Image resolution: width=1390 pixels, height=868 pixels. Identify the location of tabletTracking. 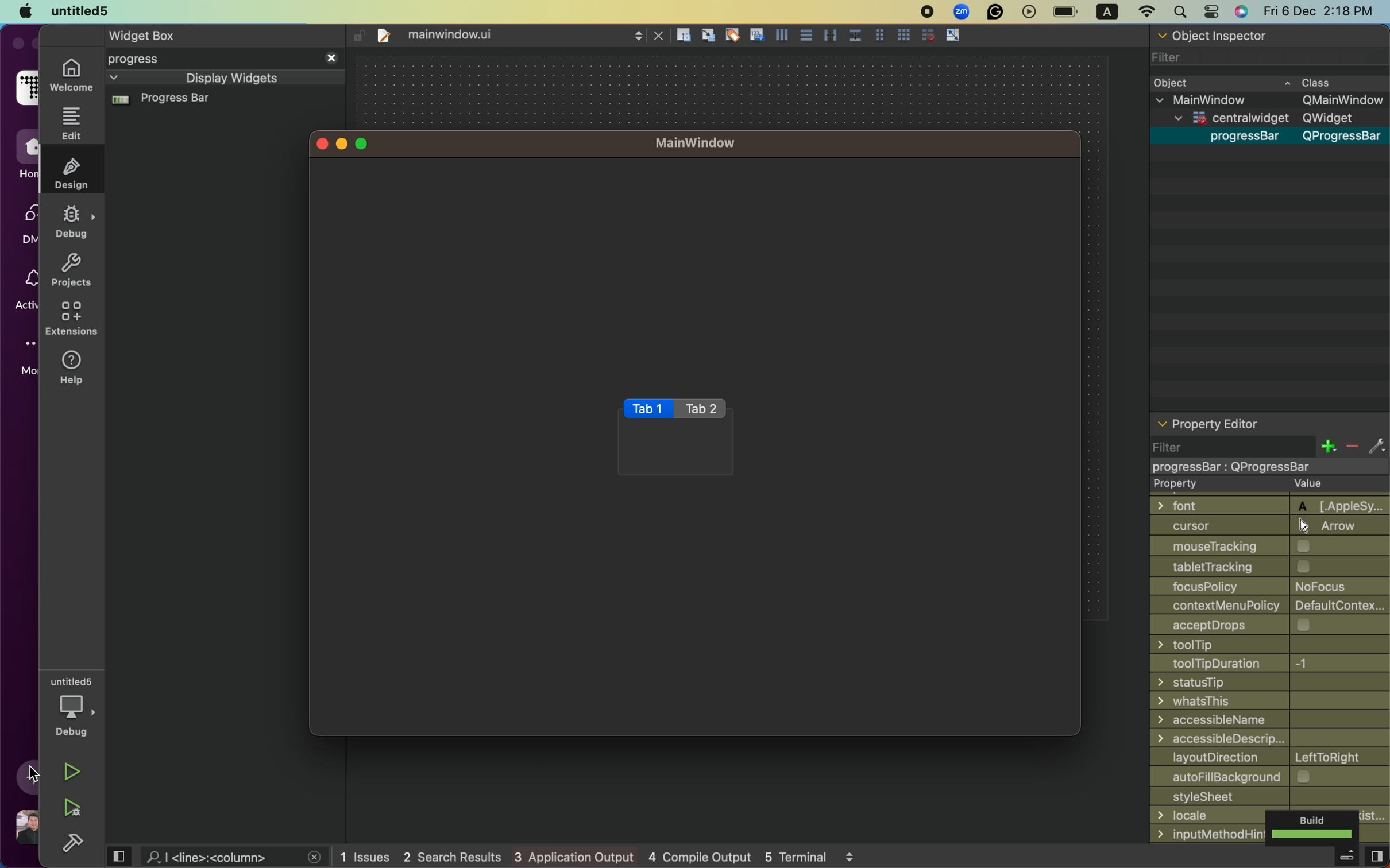
(1270, 566).